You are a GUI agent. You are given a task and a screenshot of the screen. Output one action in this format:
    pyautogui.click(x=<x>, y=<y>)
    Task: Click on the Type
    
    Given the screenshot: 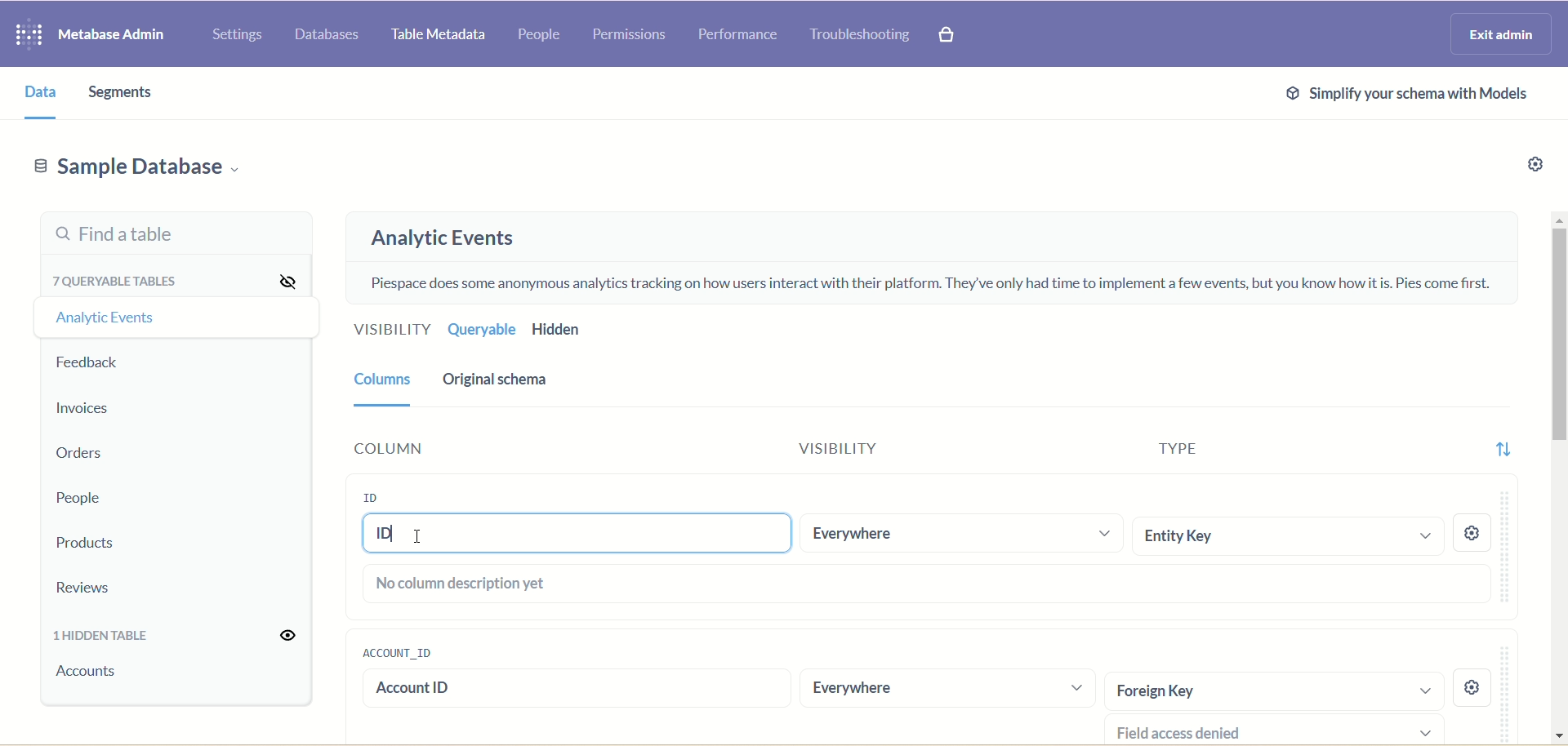 What is the action you would take?
    pyautogui.click(x=1182, y=444)
    